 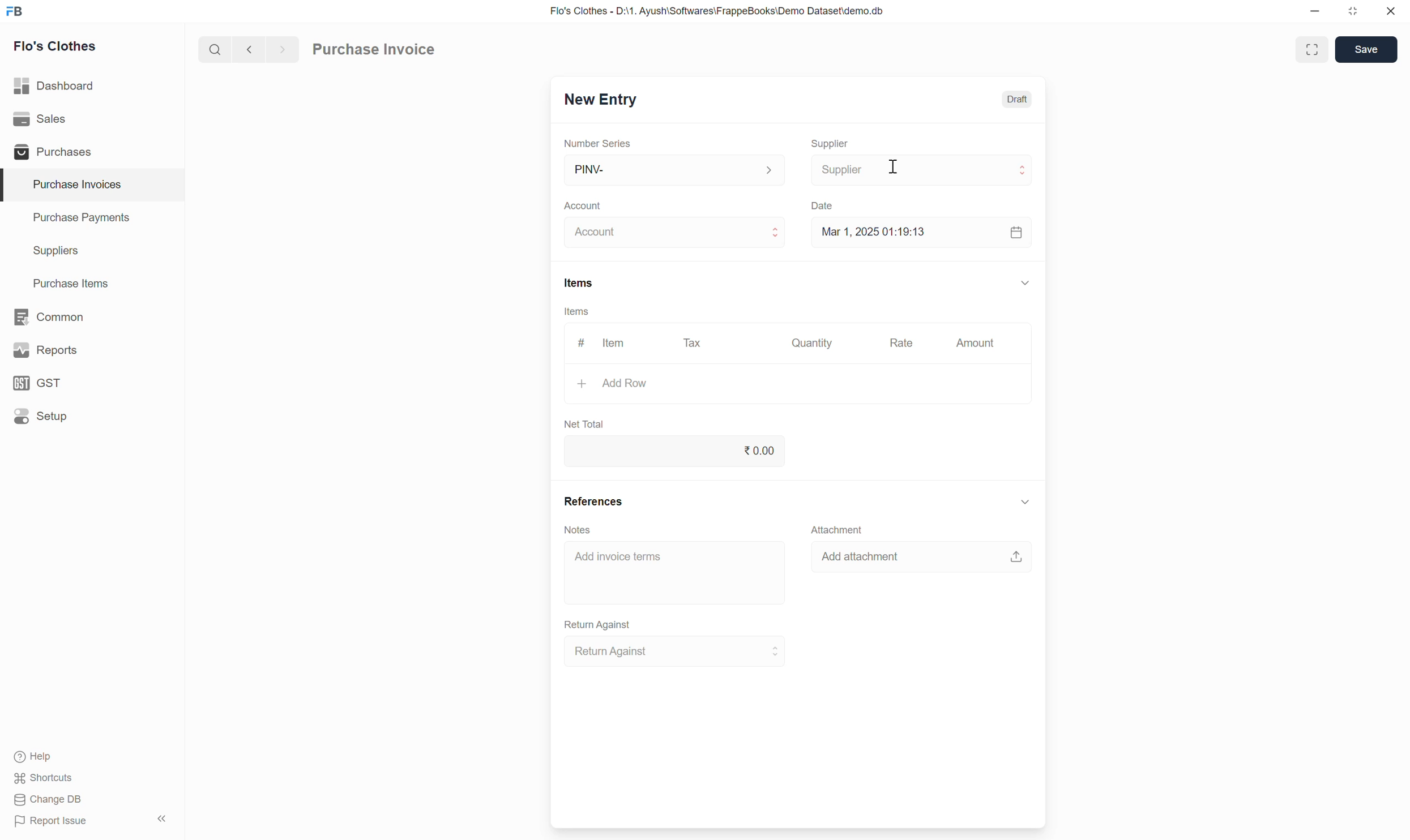 I want to click on previous, so click(x=280, y=48).